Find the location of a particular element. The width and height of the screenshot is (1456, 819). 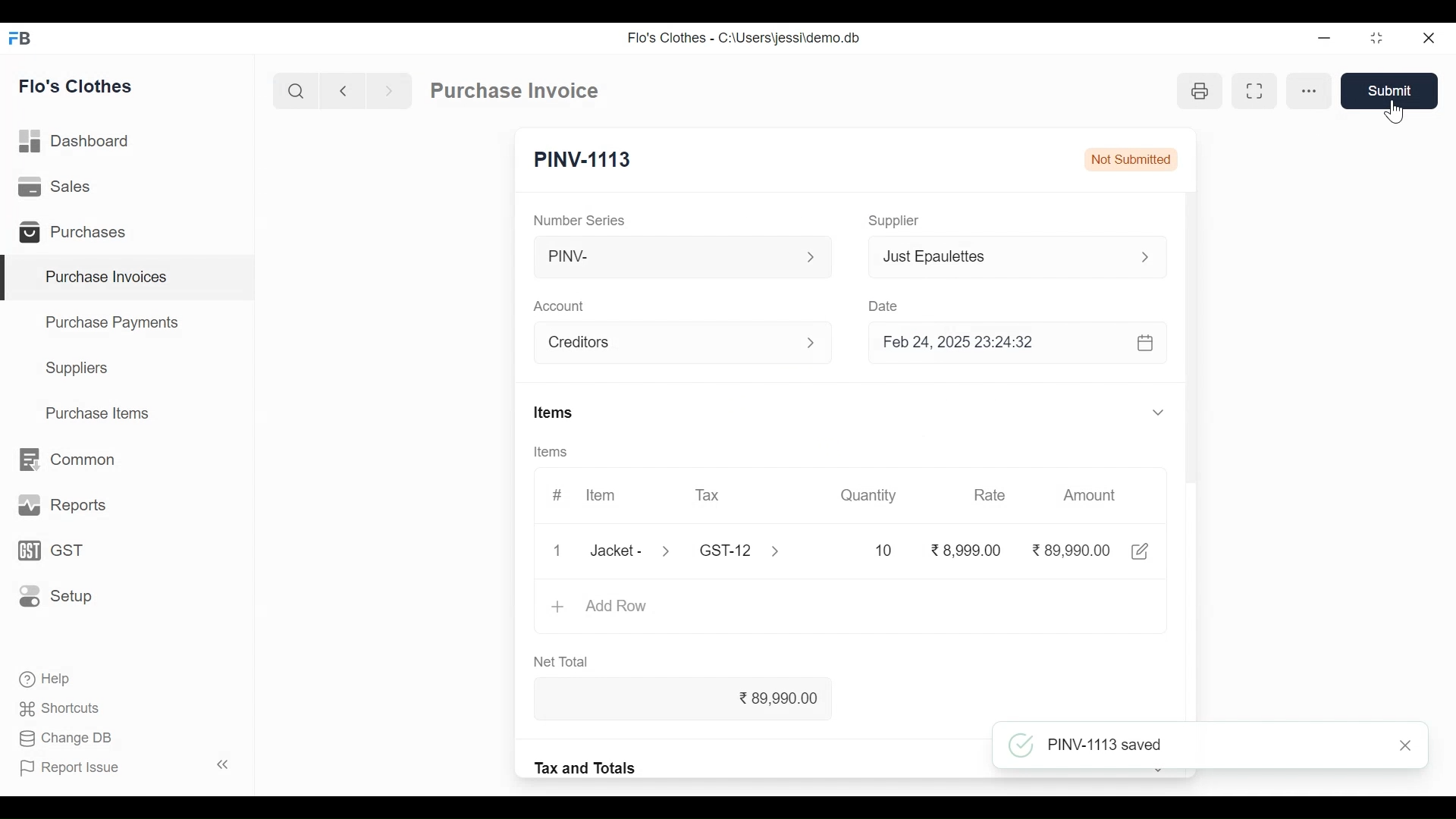

Toggle between form and full width is located at coordinates (1253, 91).